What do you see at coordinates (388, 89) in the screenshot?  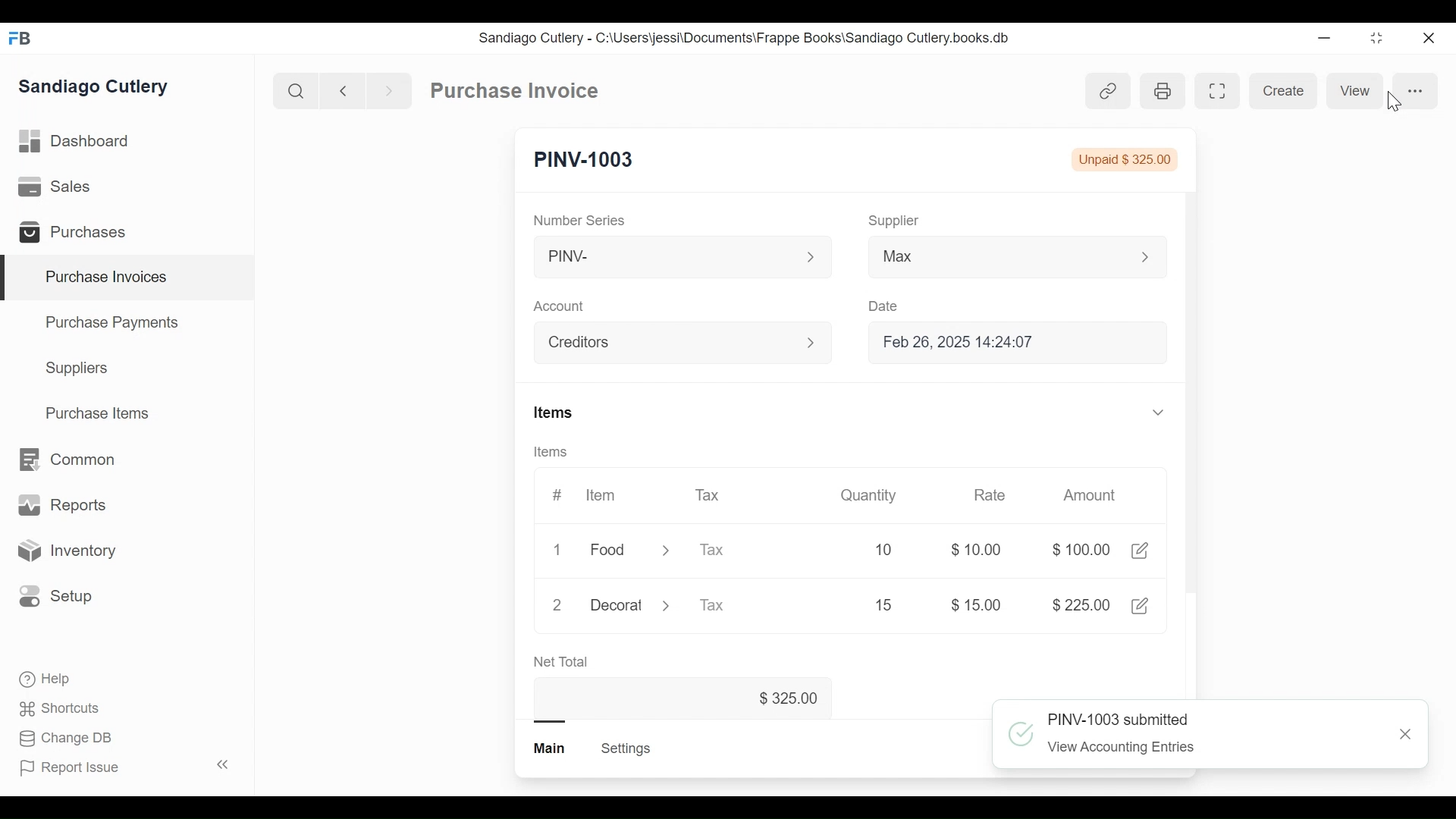 I see `Navigate forward` at bounding box center [388, 89].